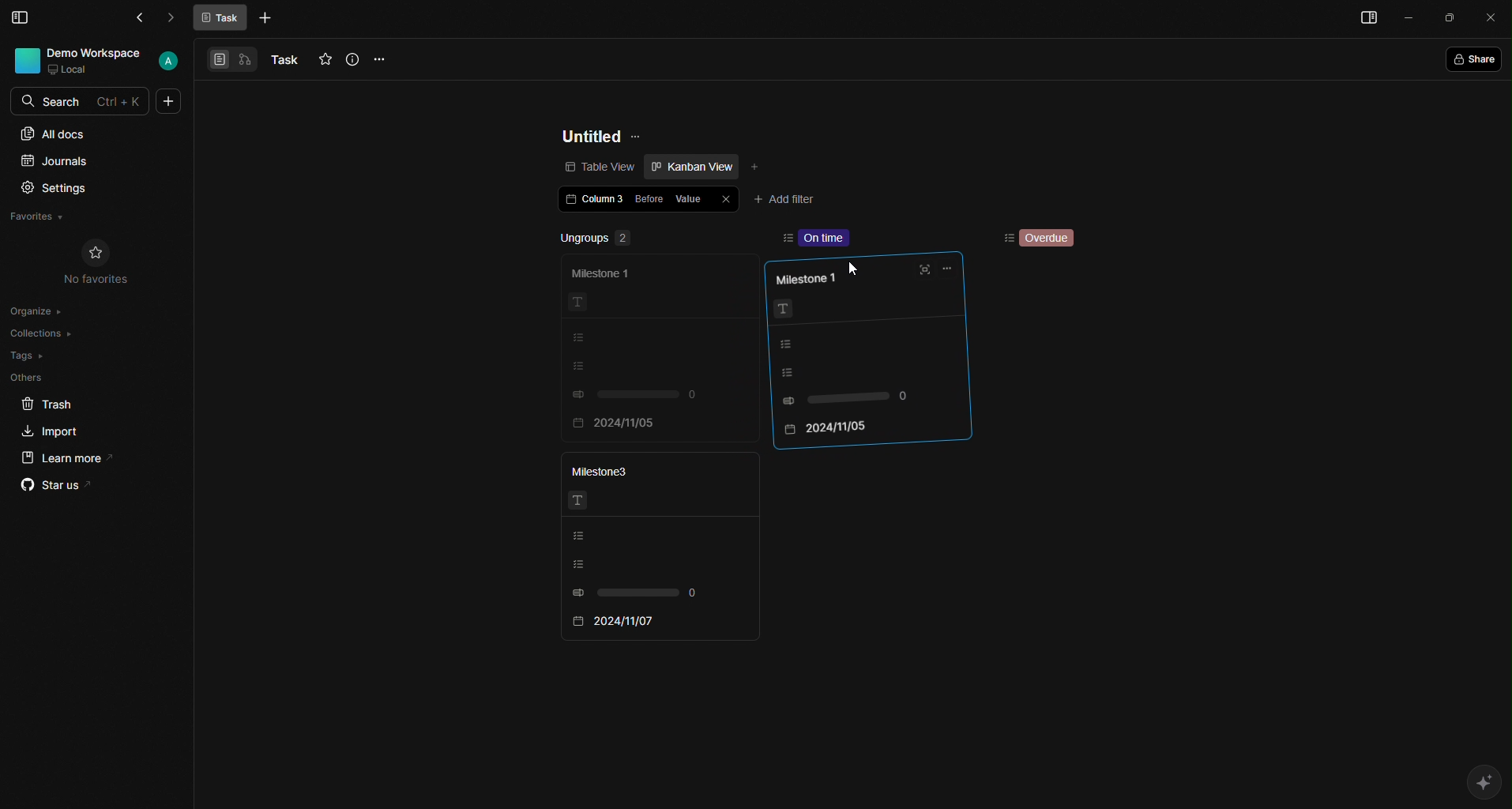  Describe the element at coordinates (849, 401) in the screenshot. I see `0` at that location.